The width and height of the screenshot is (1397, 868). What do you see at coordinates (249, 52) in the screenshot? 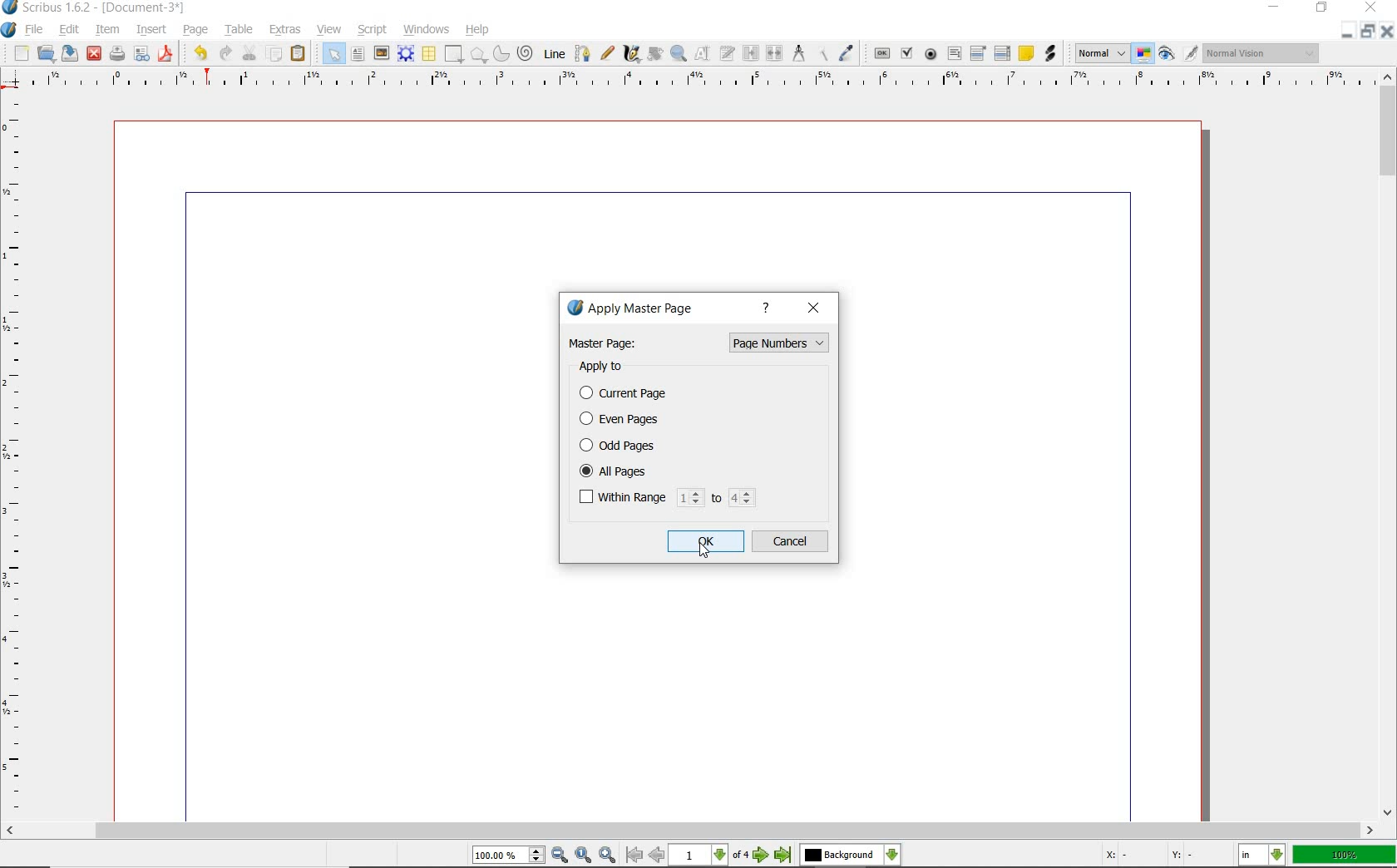
I see `cut` at bounding box center [249, 52].